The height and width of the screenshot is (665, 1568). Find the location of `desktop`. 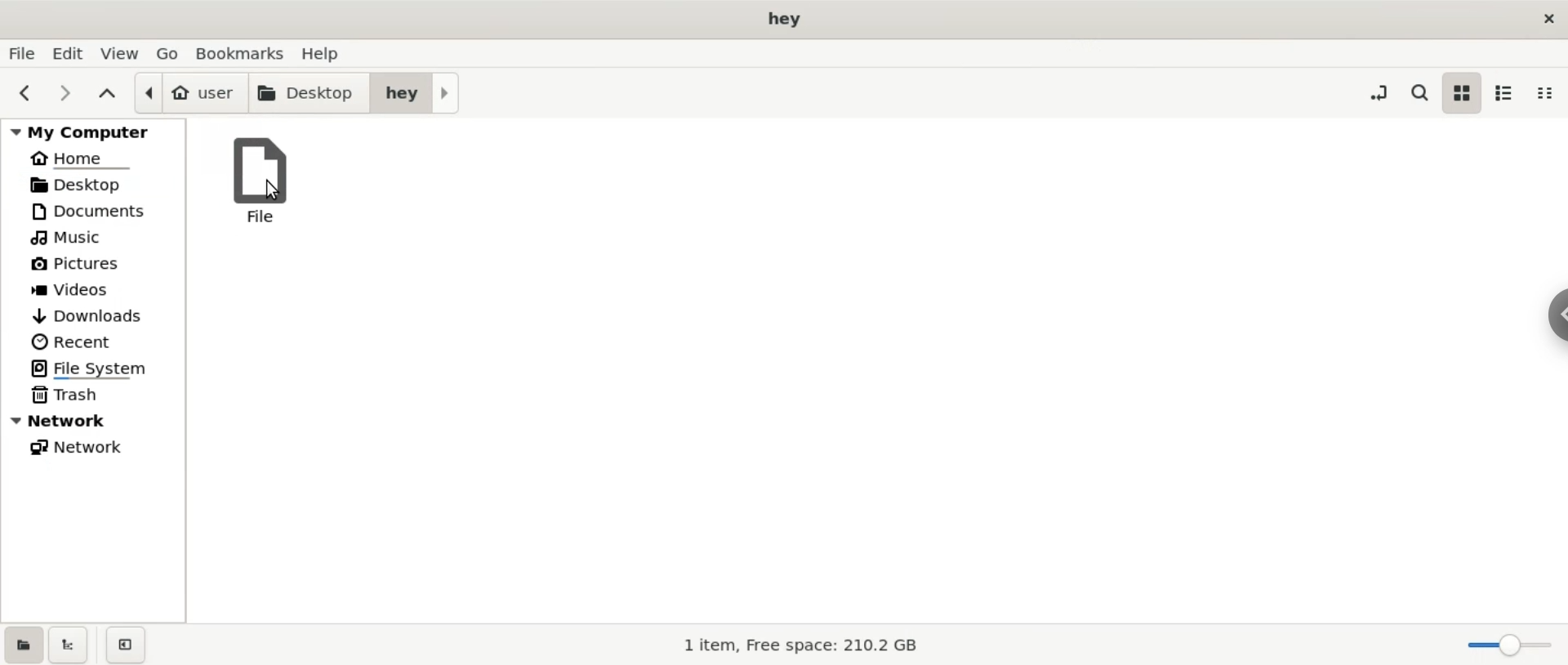

desktop is located at coordinates (96, 185).